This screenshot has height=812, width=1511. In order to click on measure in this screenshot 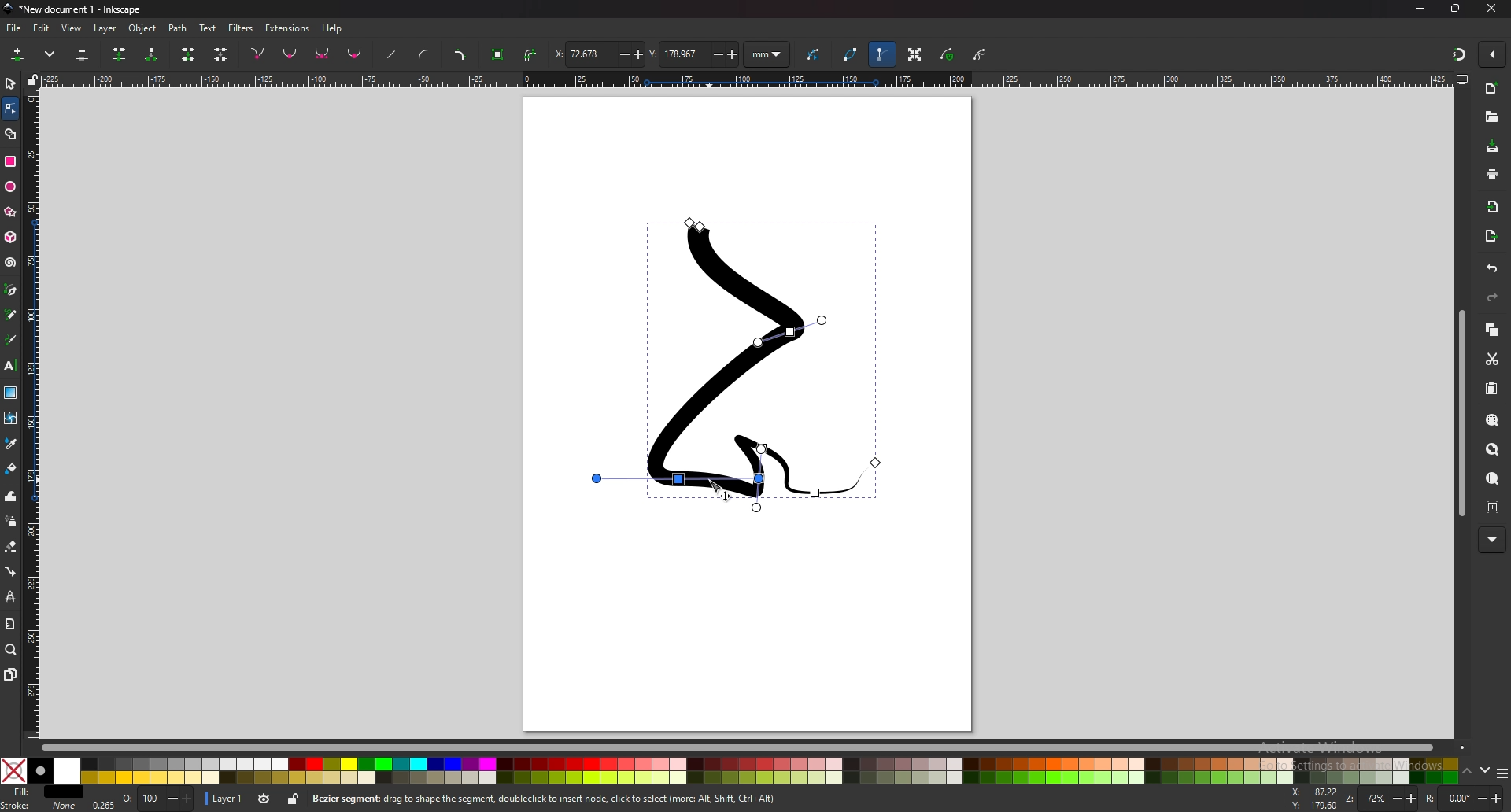, I will do `click(9, 625)`.